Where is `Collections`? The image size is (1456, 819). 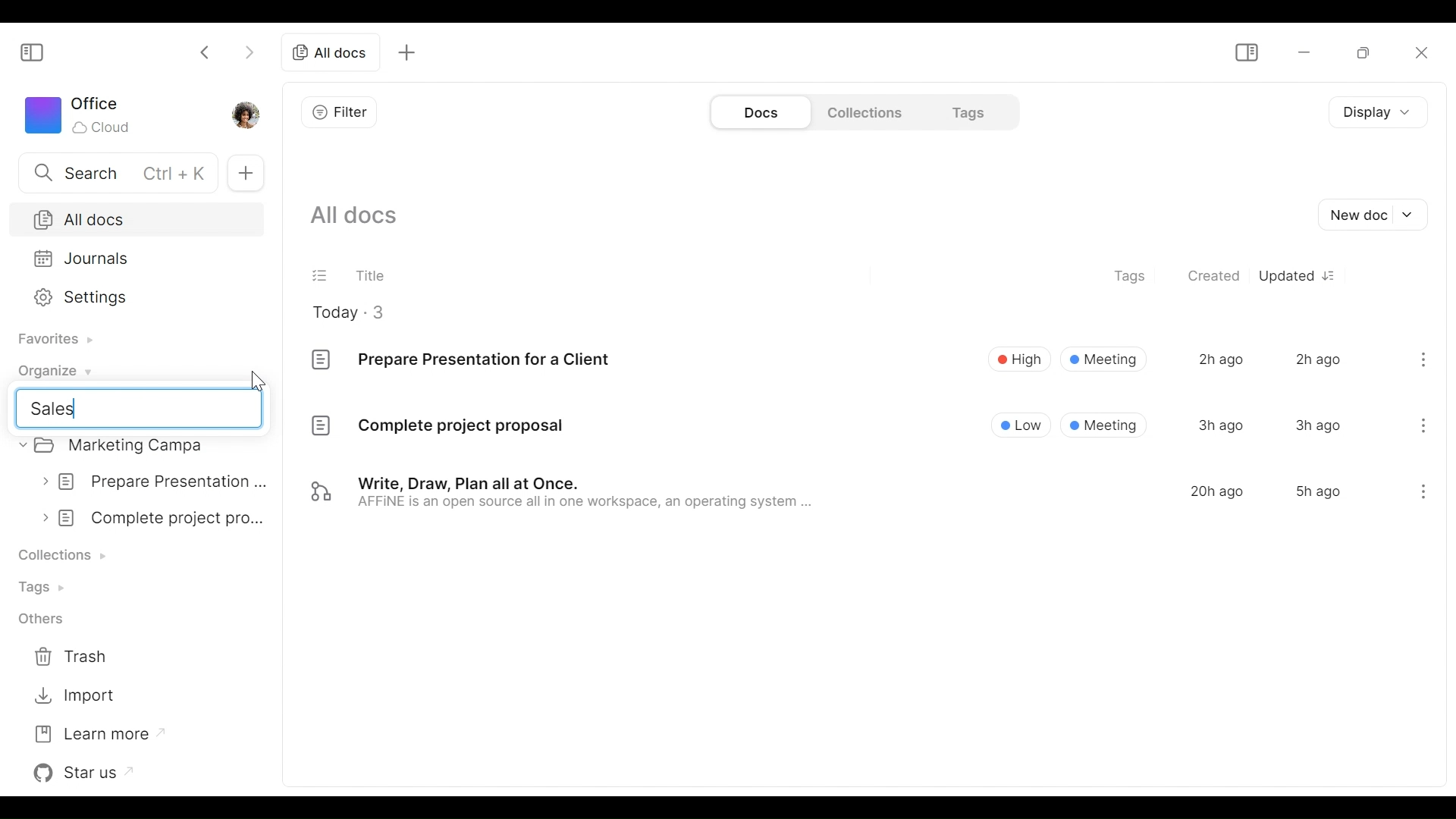
Collections is located at coordinates (863, 111).